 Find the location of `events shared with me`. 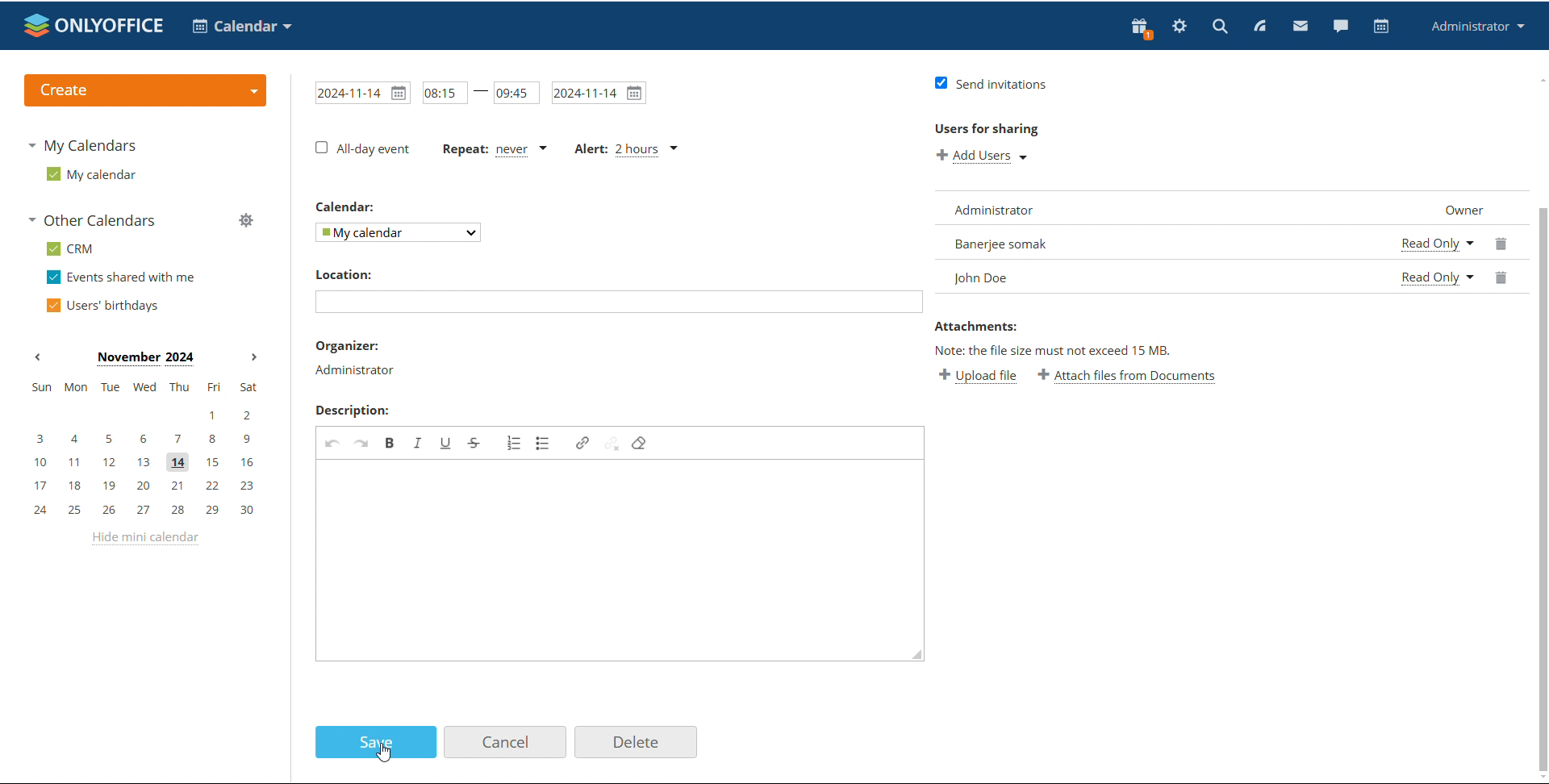

events shared with me is located at coordinates (121, 277).